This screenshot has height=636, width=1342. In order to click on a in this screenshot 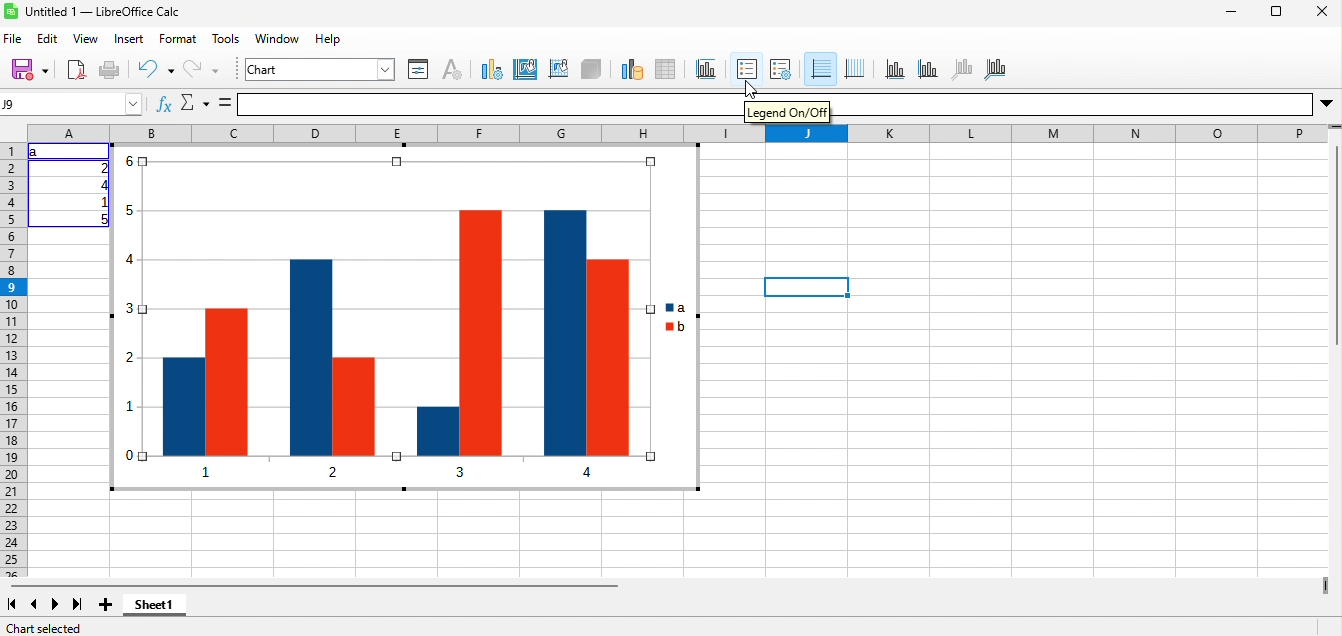, I will do `click(36, 151)`.